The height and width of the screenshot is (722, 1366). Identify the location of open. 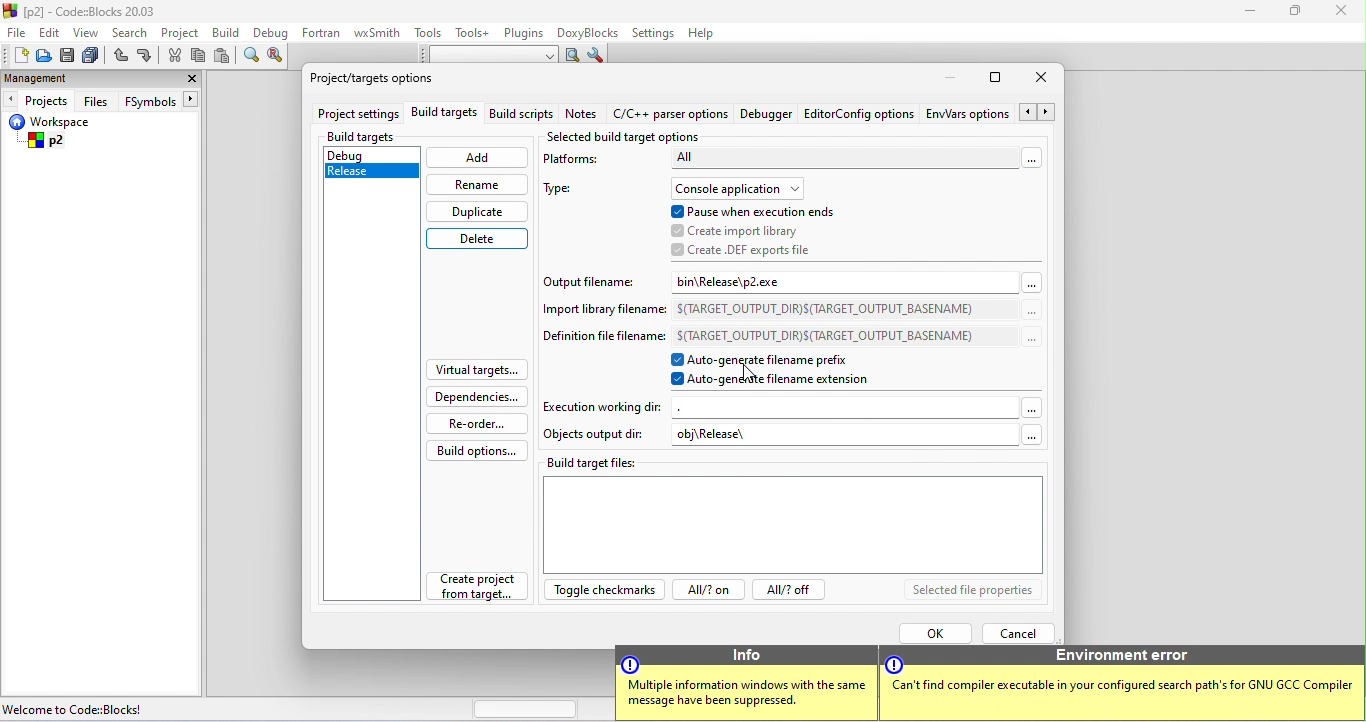
(41, 59).